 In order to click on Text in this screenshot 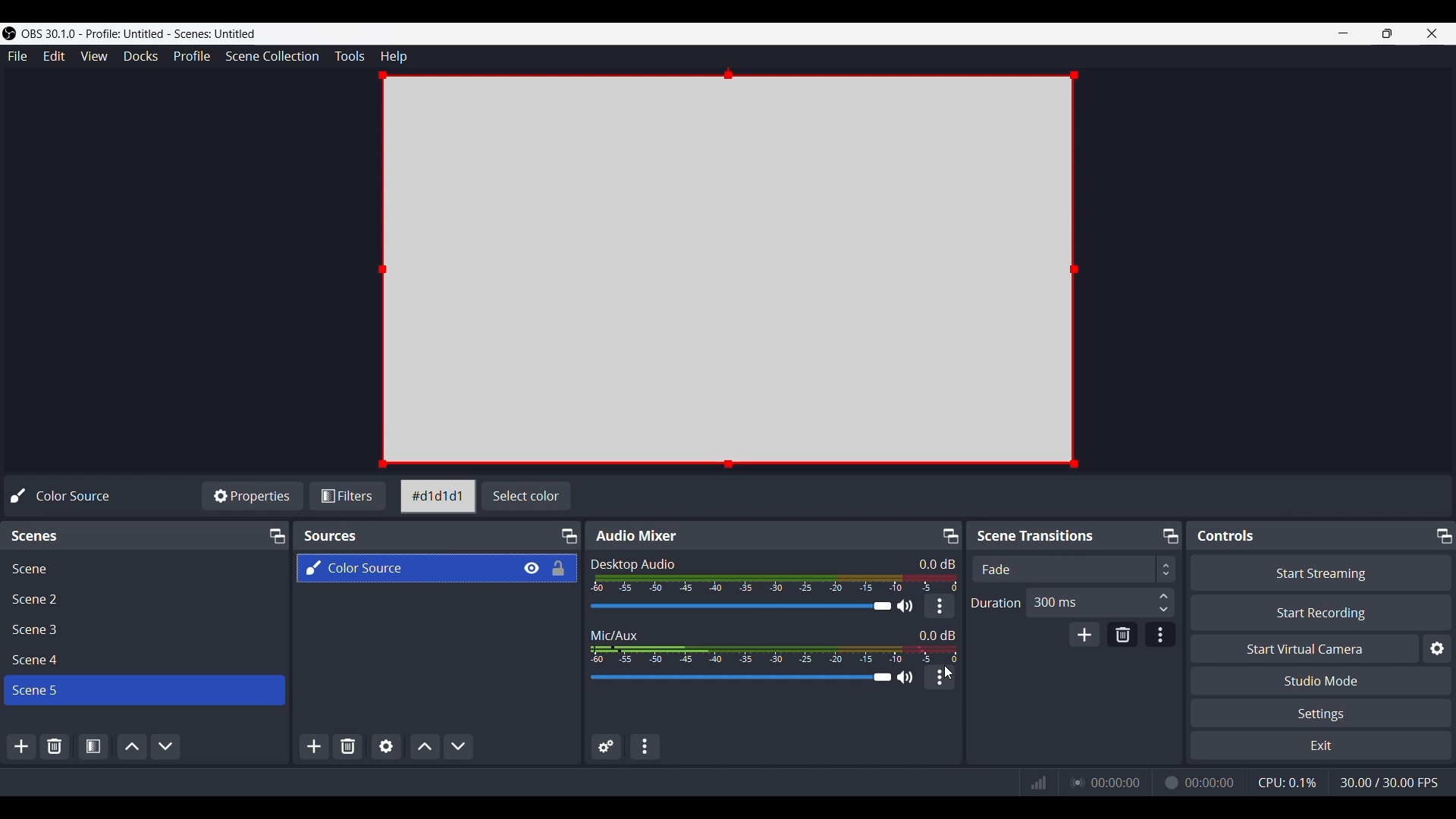, I will do `click(37, 535)`.